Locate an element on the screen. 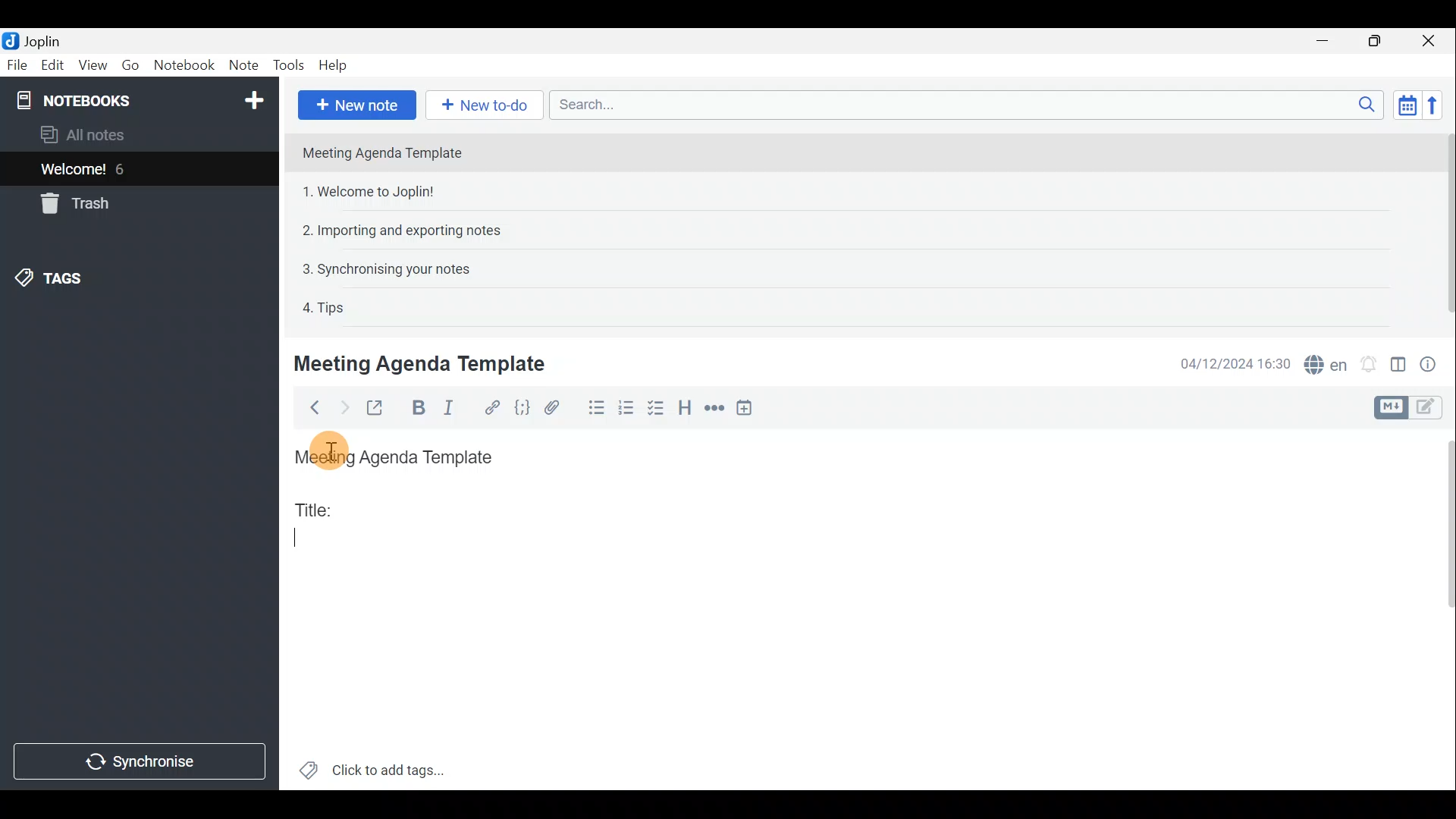  3. Synchronising your notes is located at coordinates (386, 268).